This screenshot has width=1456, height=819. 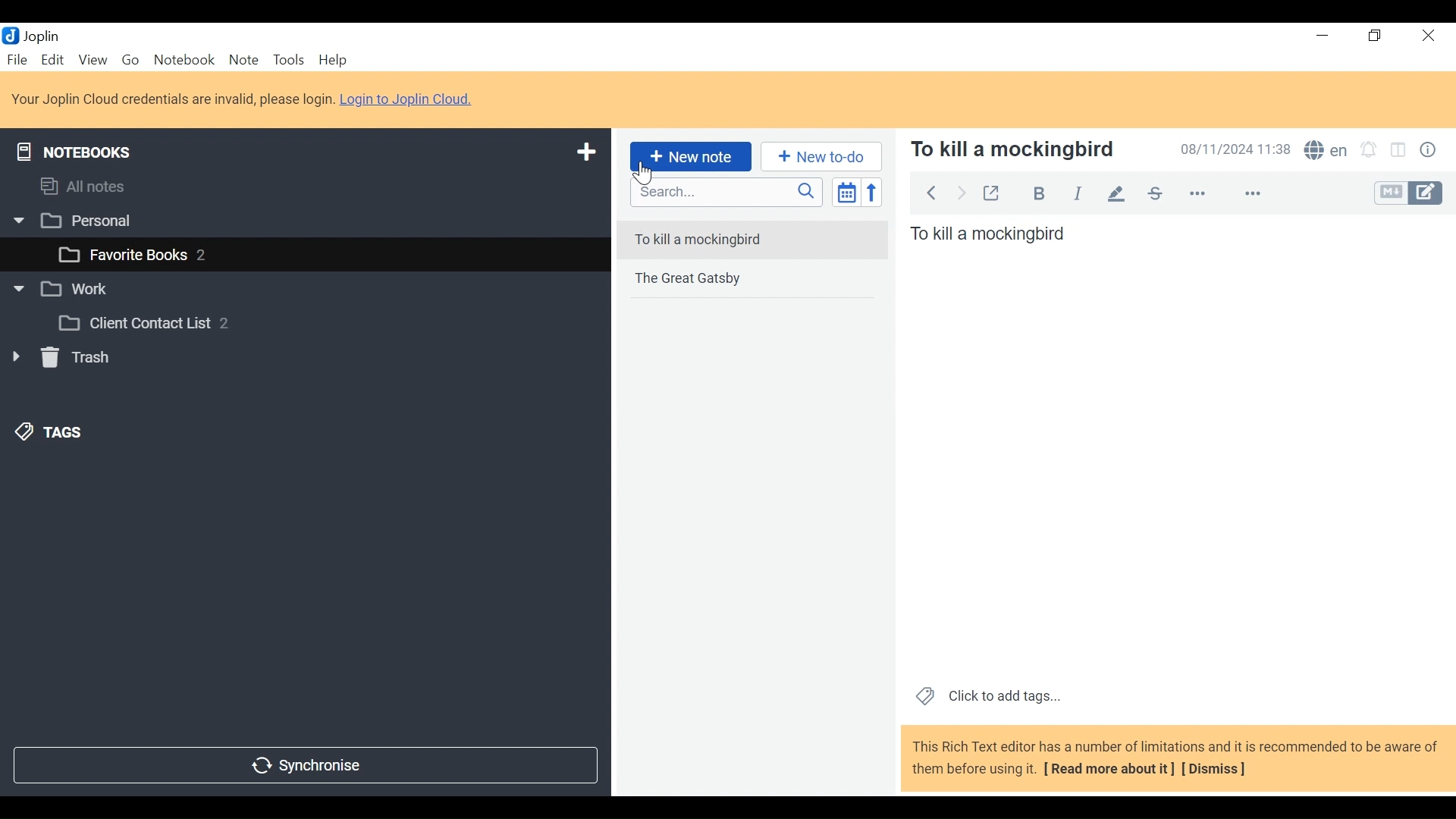 What do you see at coordinates (1232, 195) in the screenshot?
I see `more` at bounding box center [1232, 195].